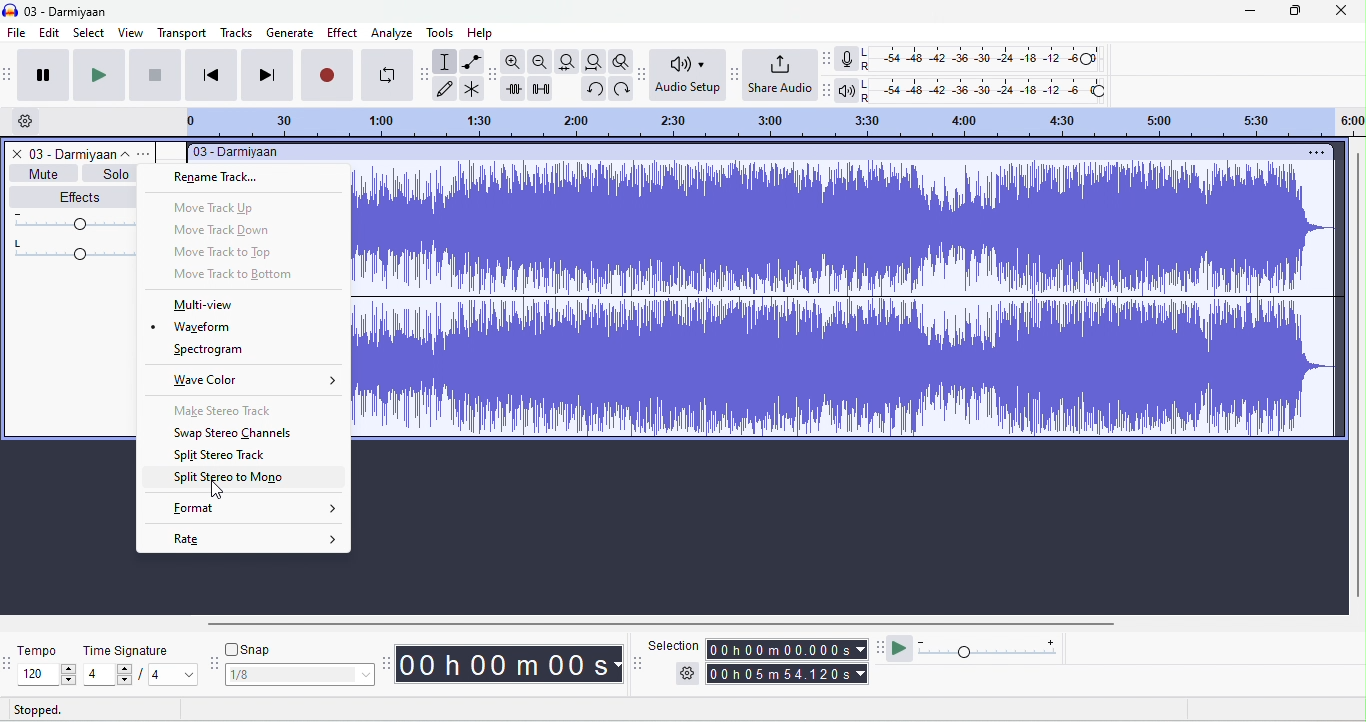 The image size is (1366, 722). I want to click on tools, so click(439, 32).